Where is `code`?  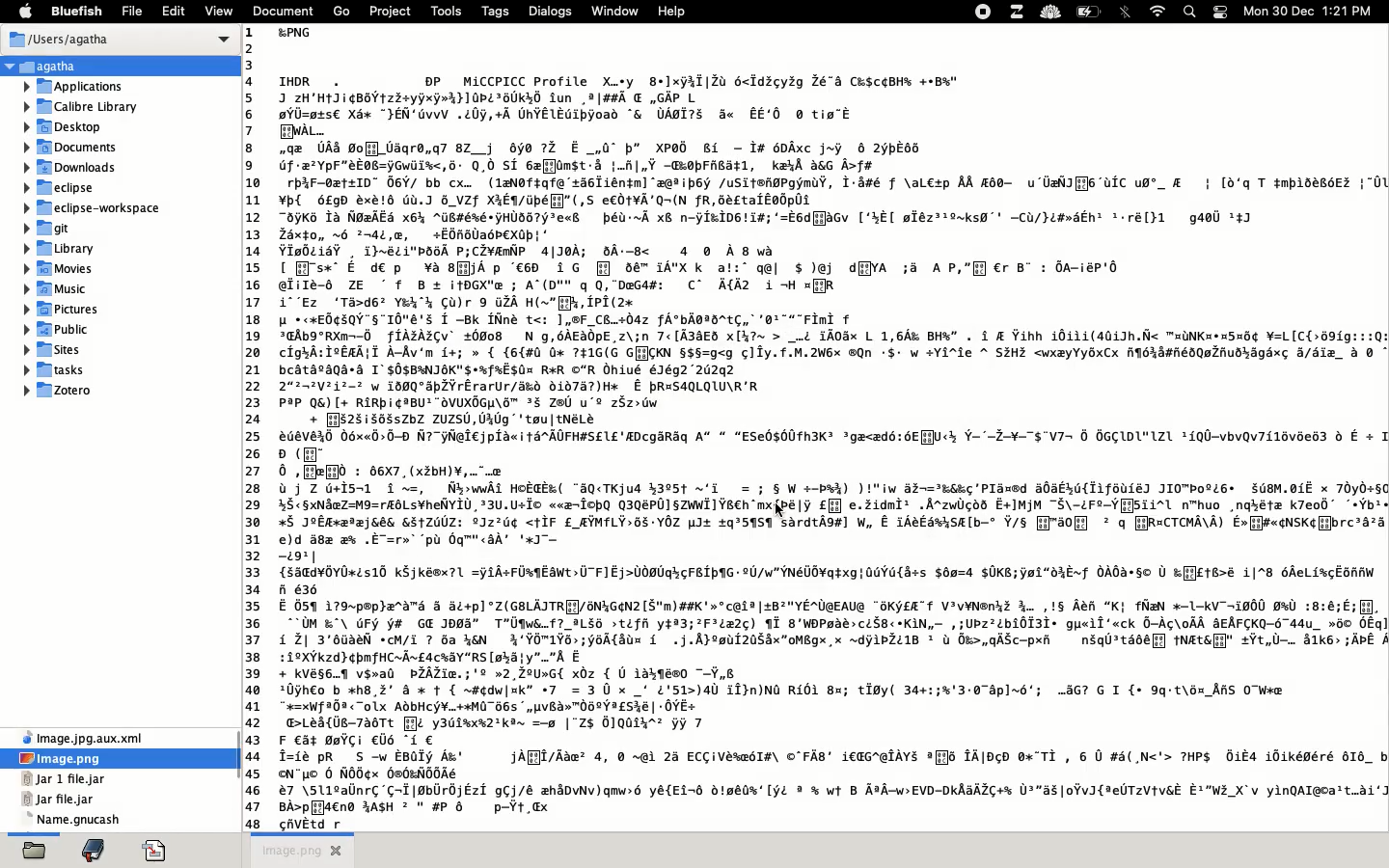
code is located at coordinates (155, 851).